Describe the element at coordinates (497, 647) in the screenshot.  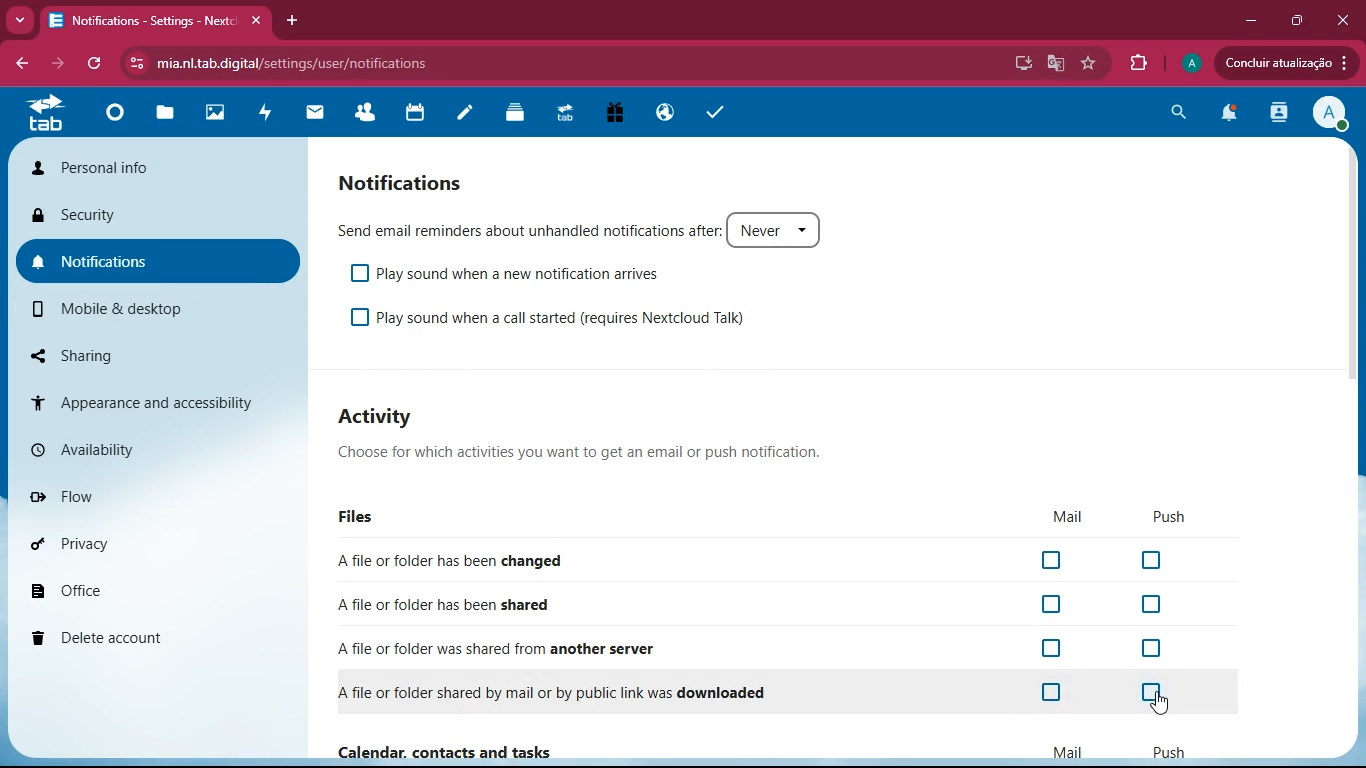
I see `A file or folder was shared from another server` at that location.